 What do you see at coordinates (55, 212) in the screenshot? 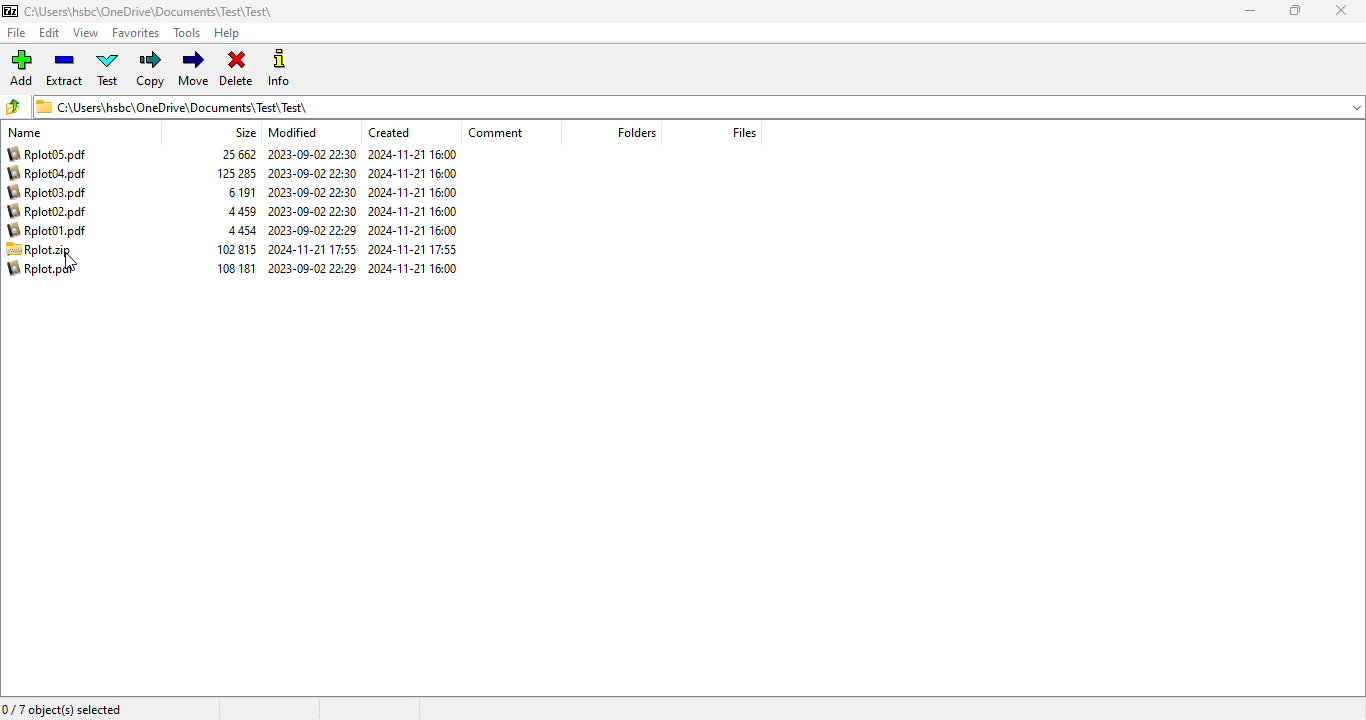
I see `Rplot02.pdf` at bounding box center [55, 212].